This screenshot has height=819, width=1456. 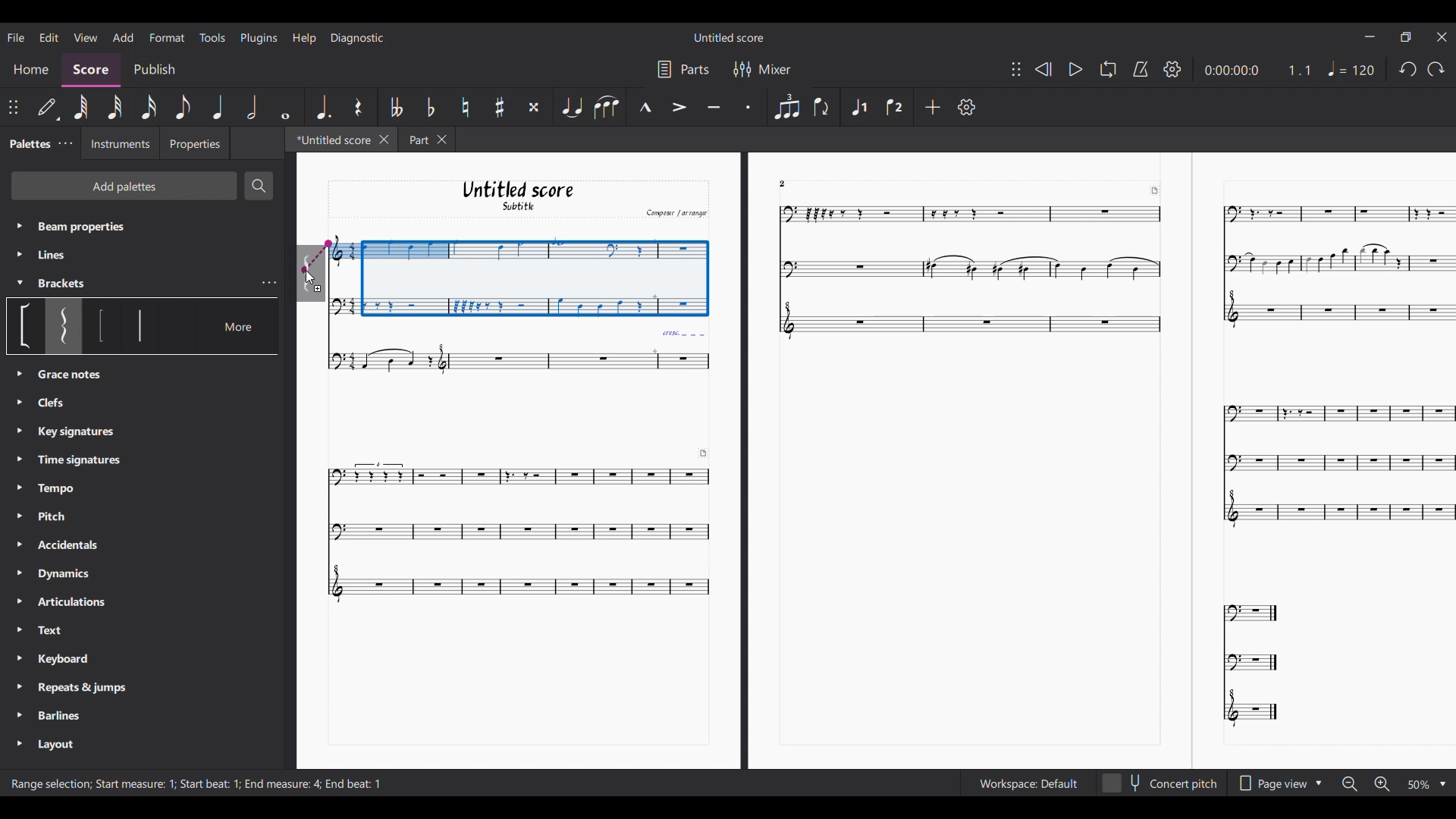 I want to click on 2, so click(x=792, y=183).